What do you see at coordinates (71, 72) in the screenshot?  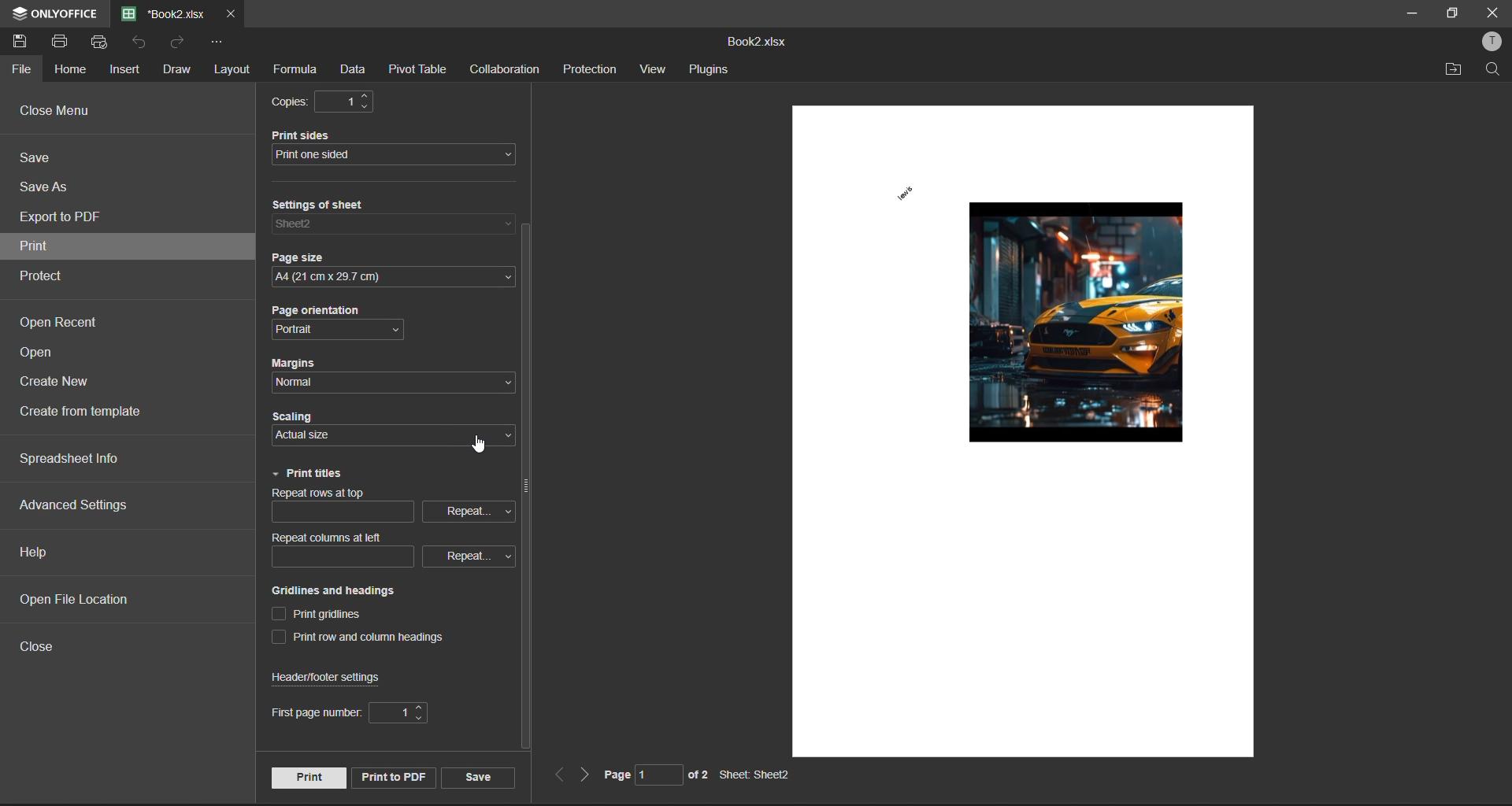 I see `home` at bounding box center [71, 72].